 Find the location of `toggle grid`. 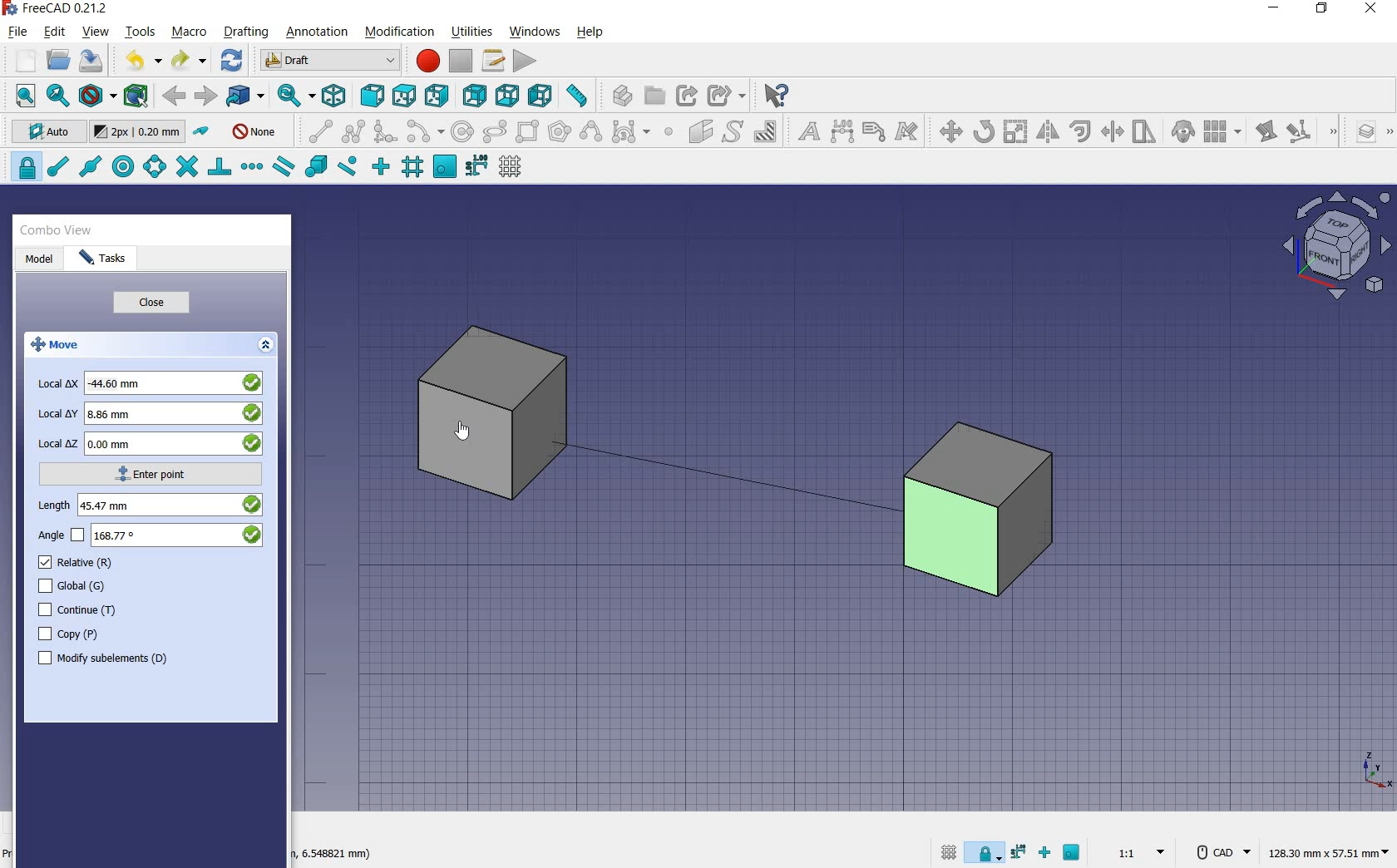

toggle grid is located at coordinates (949, 854).